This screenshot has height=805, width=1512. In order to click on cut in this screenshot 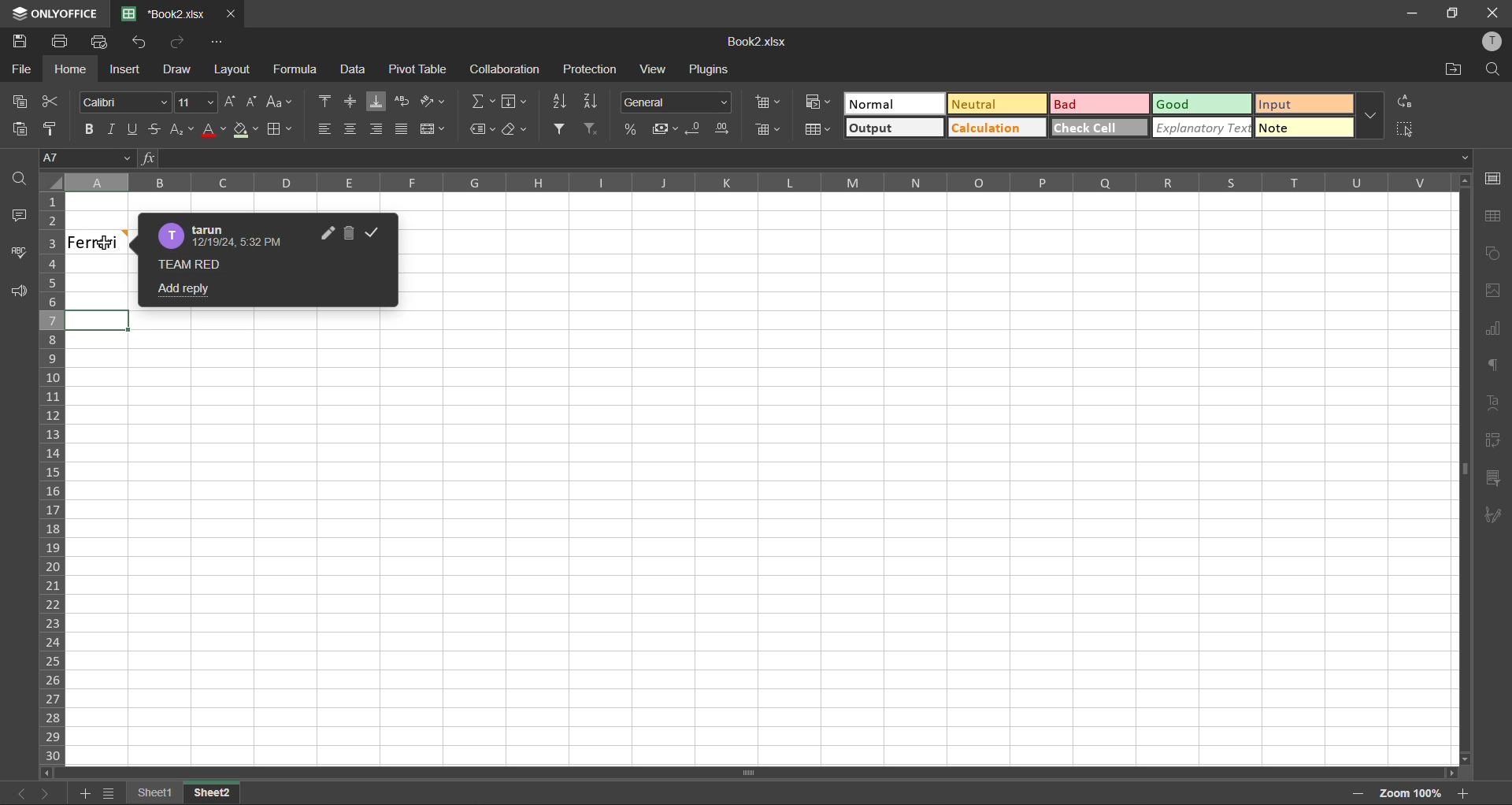, I will do `click(53, 101)`.